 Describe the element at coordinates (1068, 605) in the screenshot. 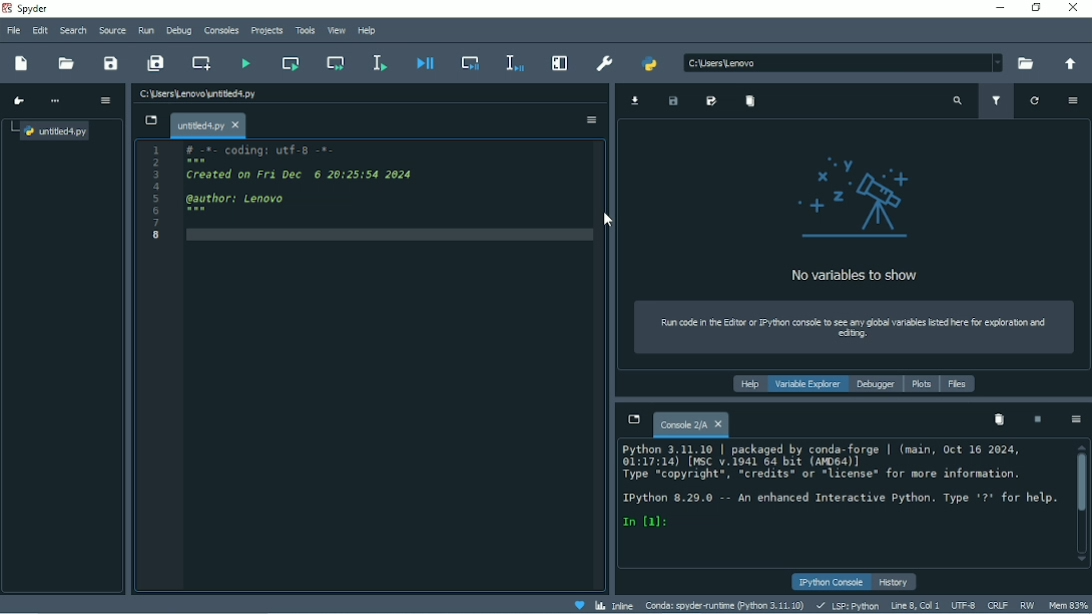

I see `Mem` at that location.